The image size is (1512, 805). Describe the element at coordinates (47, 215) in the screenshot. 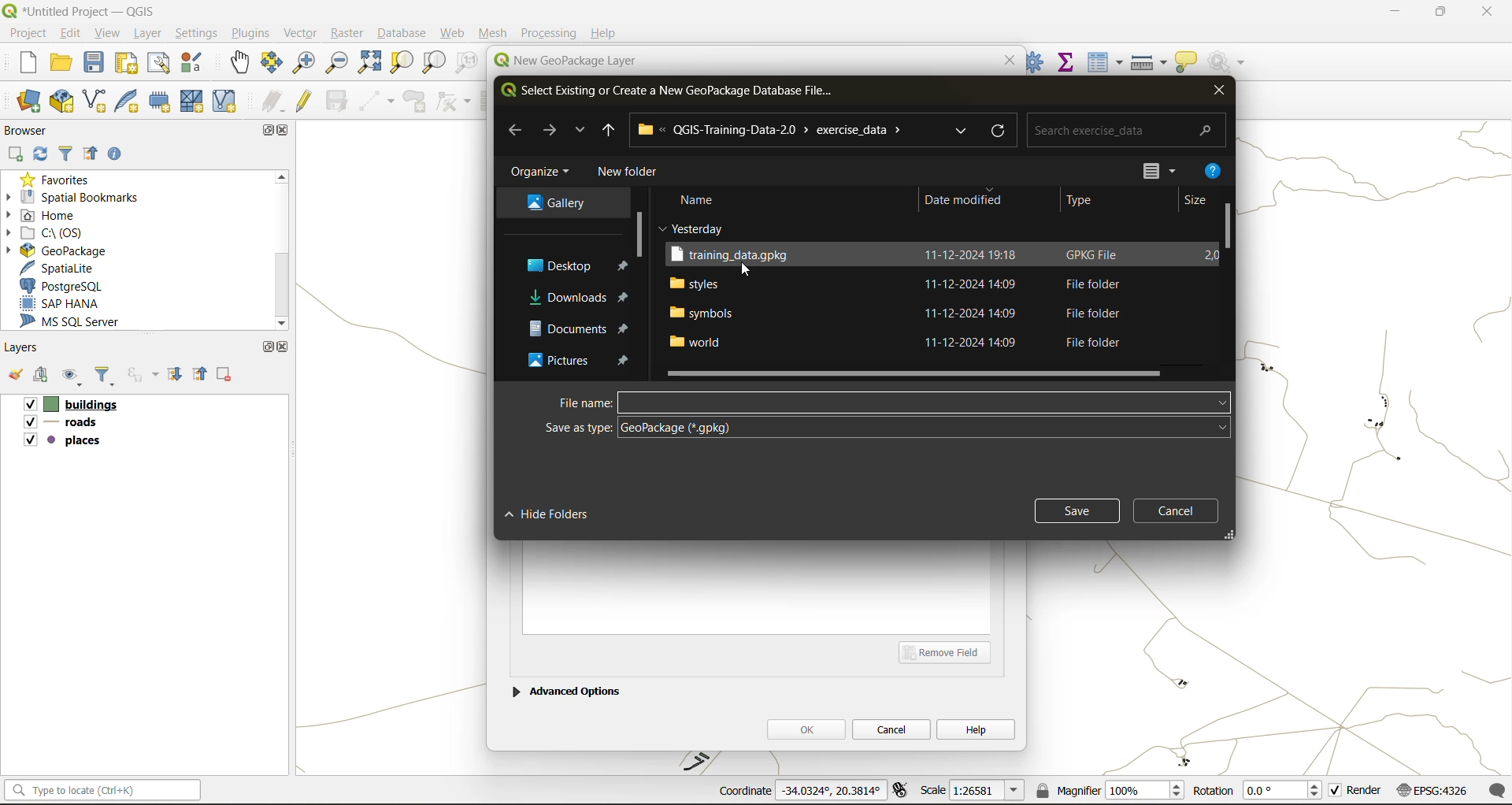

I see `home` at that location.